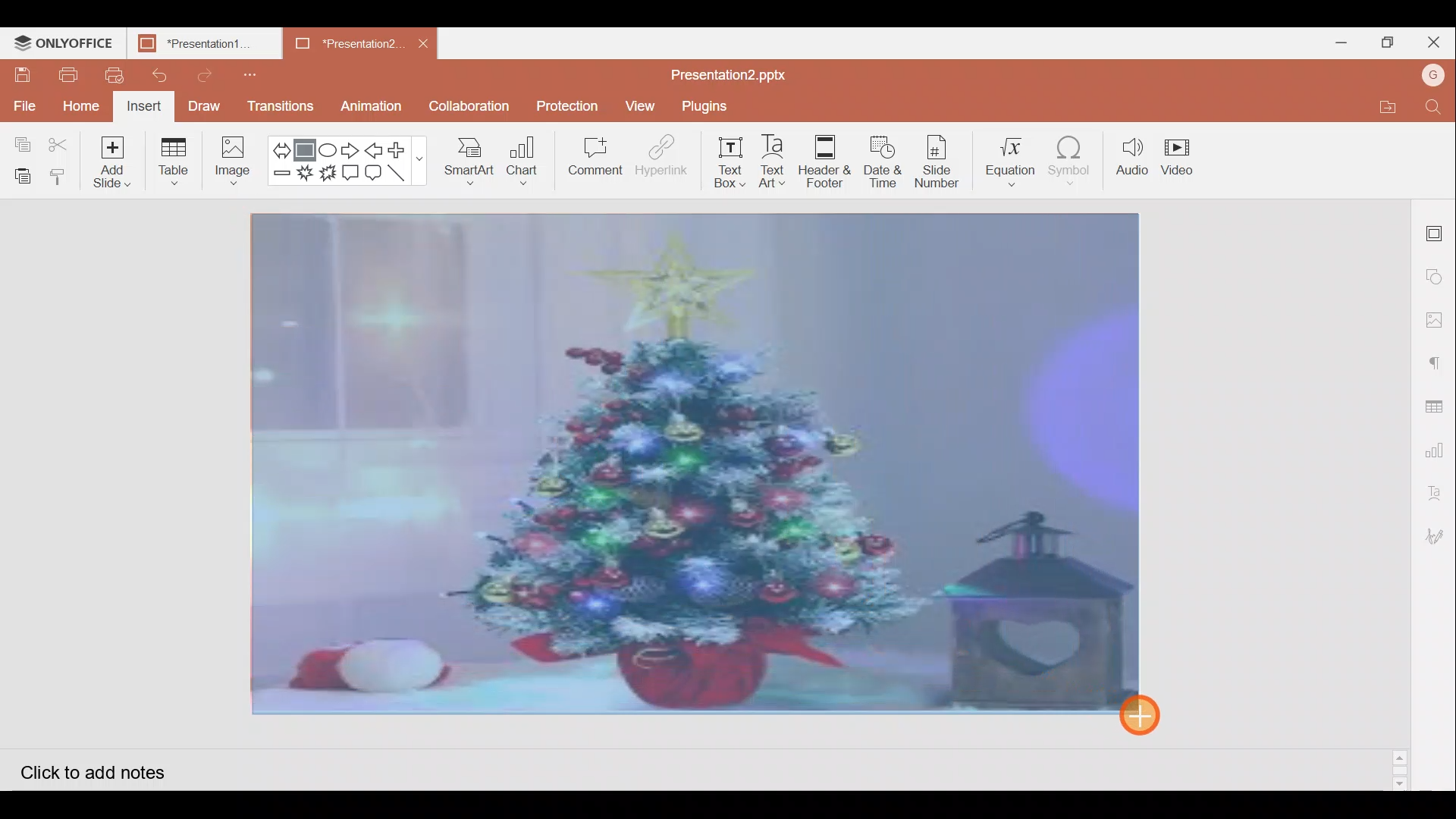 This screenshot has width=1456, height=819. What do you see at coordinates (722, 165) in the screenshot?
I see `Text box` at bounding box center [722, 165].